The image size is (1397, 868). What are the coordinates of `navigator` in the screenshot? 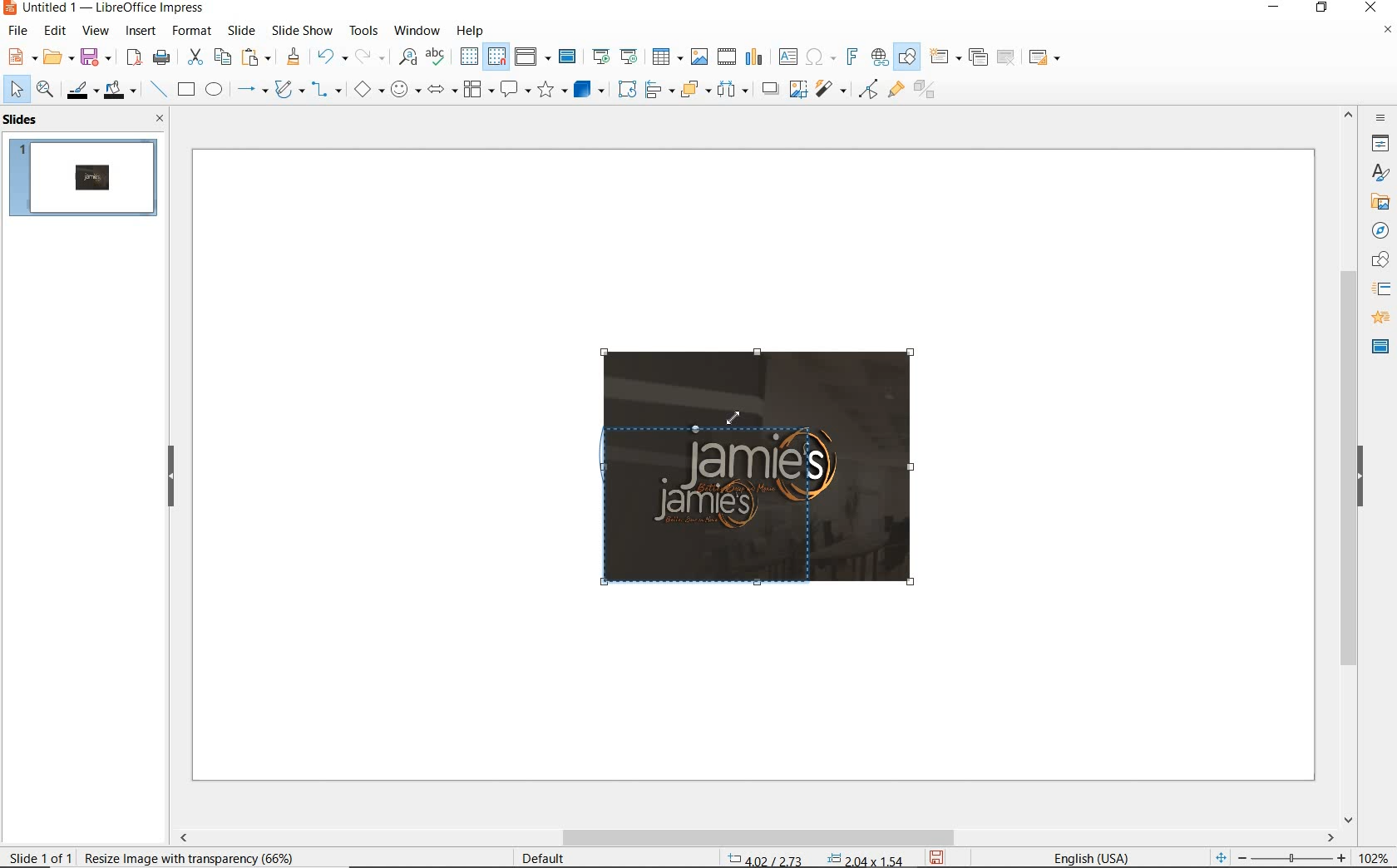 It's located at (1379, 229).